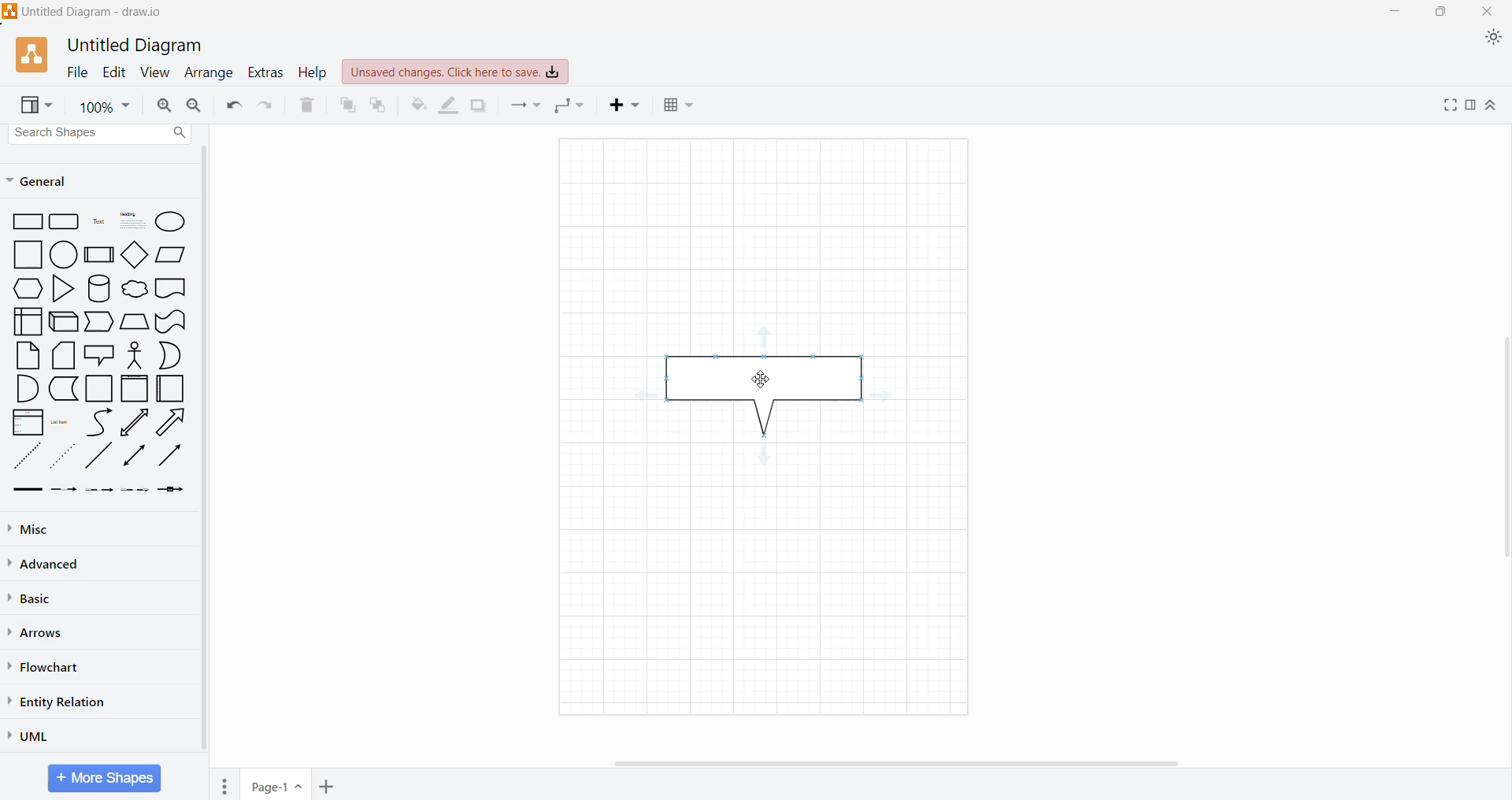  What do you see at coordinates (156, 72) in the screenshot?
I see `View` at bounding box center [156, 72].